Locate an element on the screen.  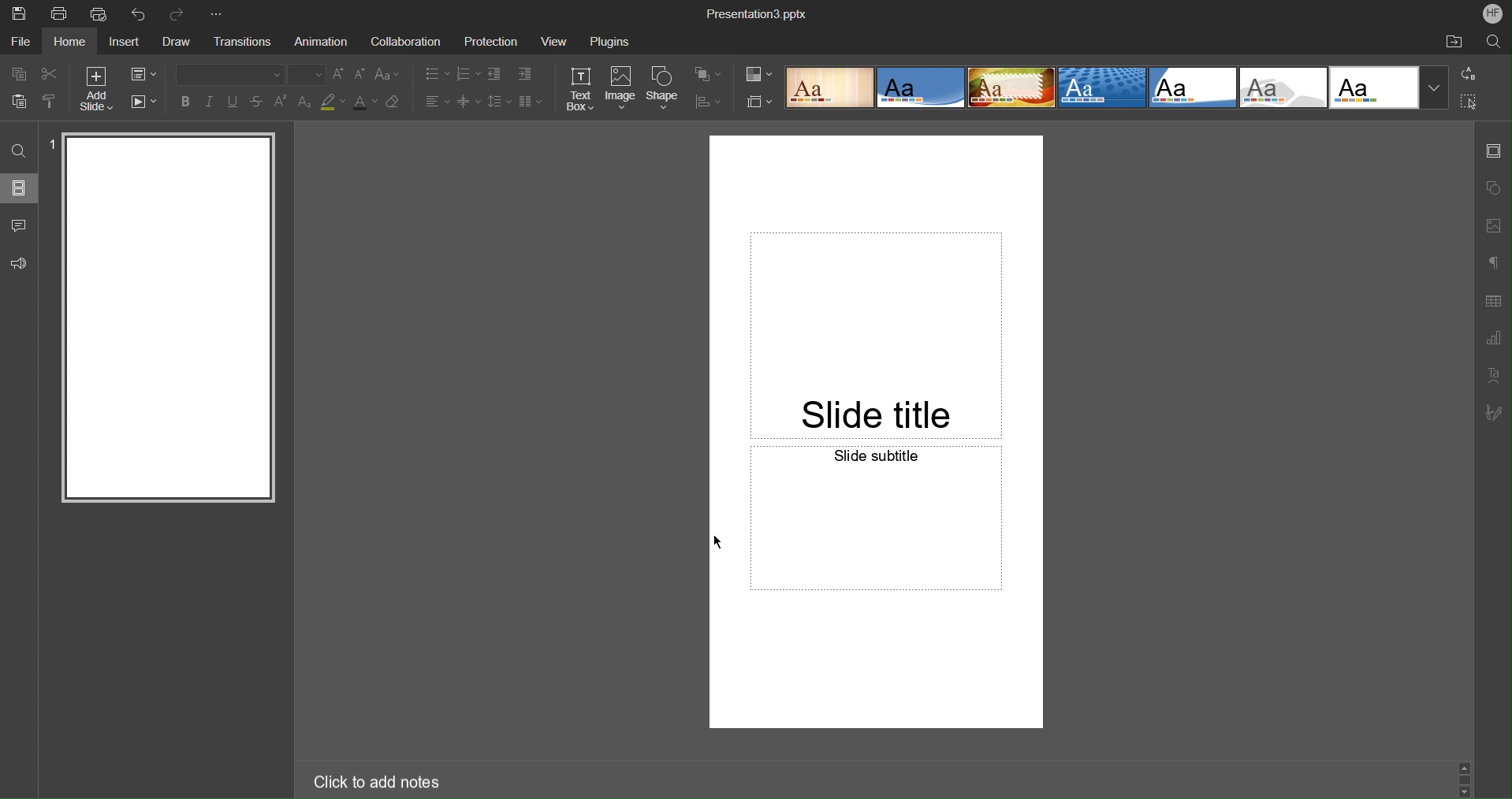
Bullet Points is located at coordinates (435, 73).